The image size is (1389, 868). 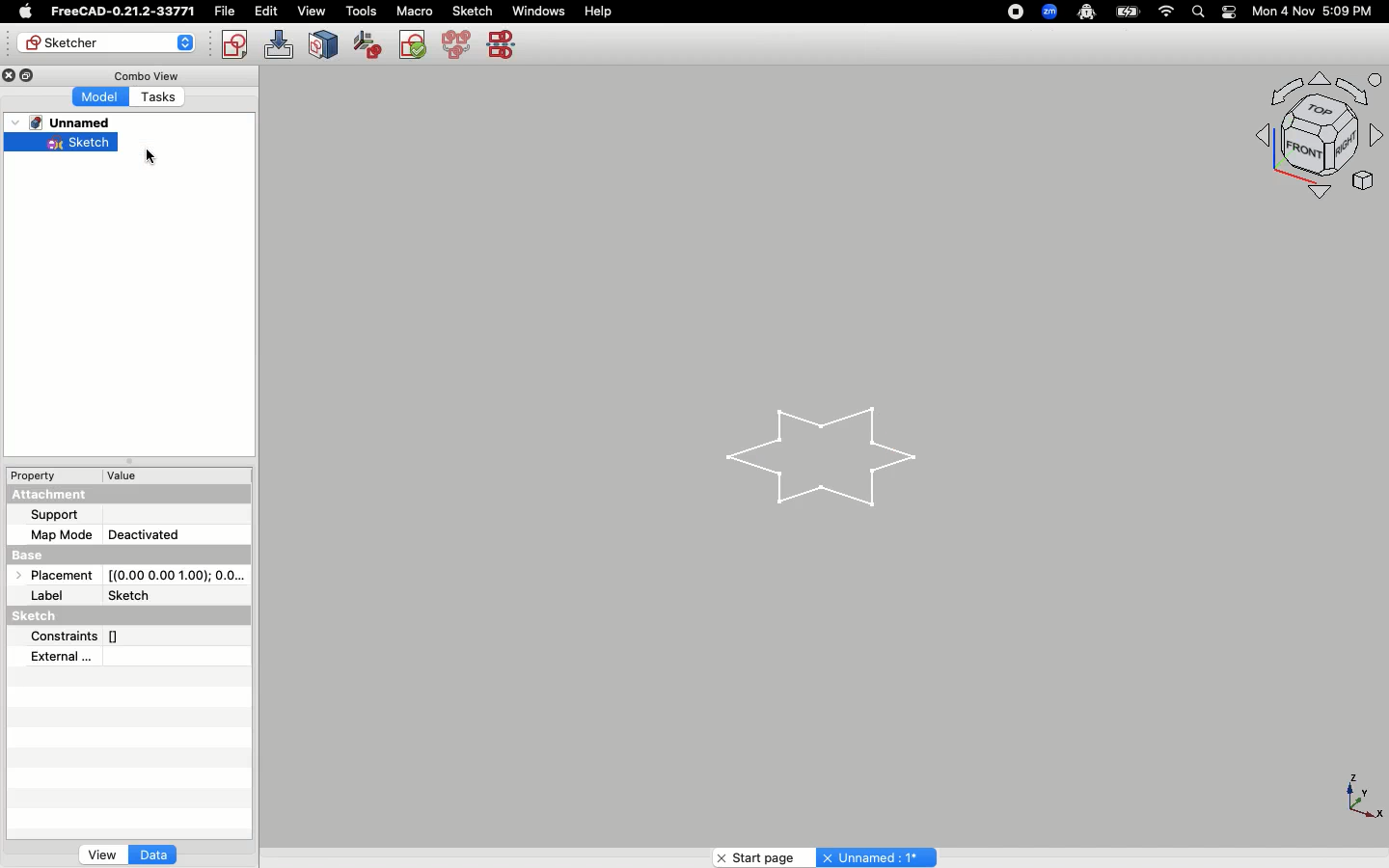 What do you see at coordinates (51, 495) in the screenshot?
I see `Attachment` at bounding box center [51, 495].